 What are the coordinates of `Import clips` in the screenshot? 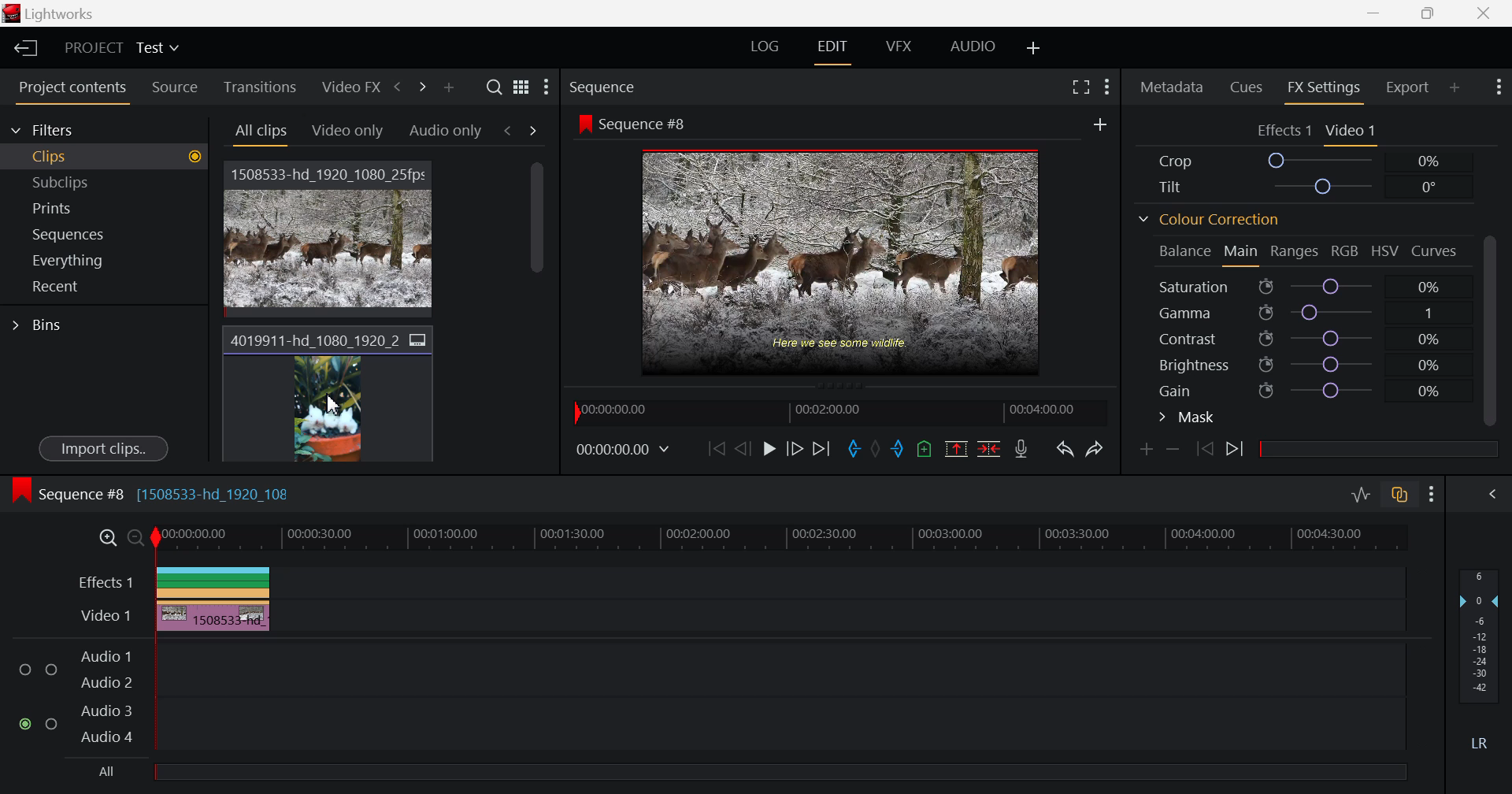 It's located at (100, 447).